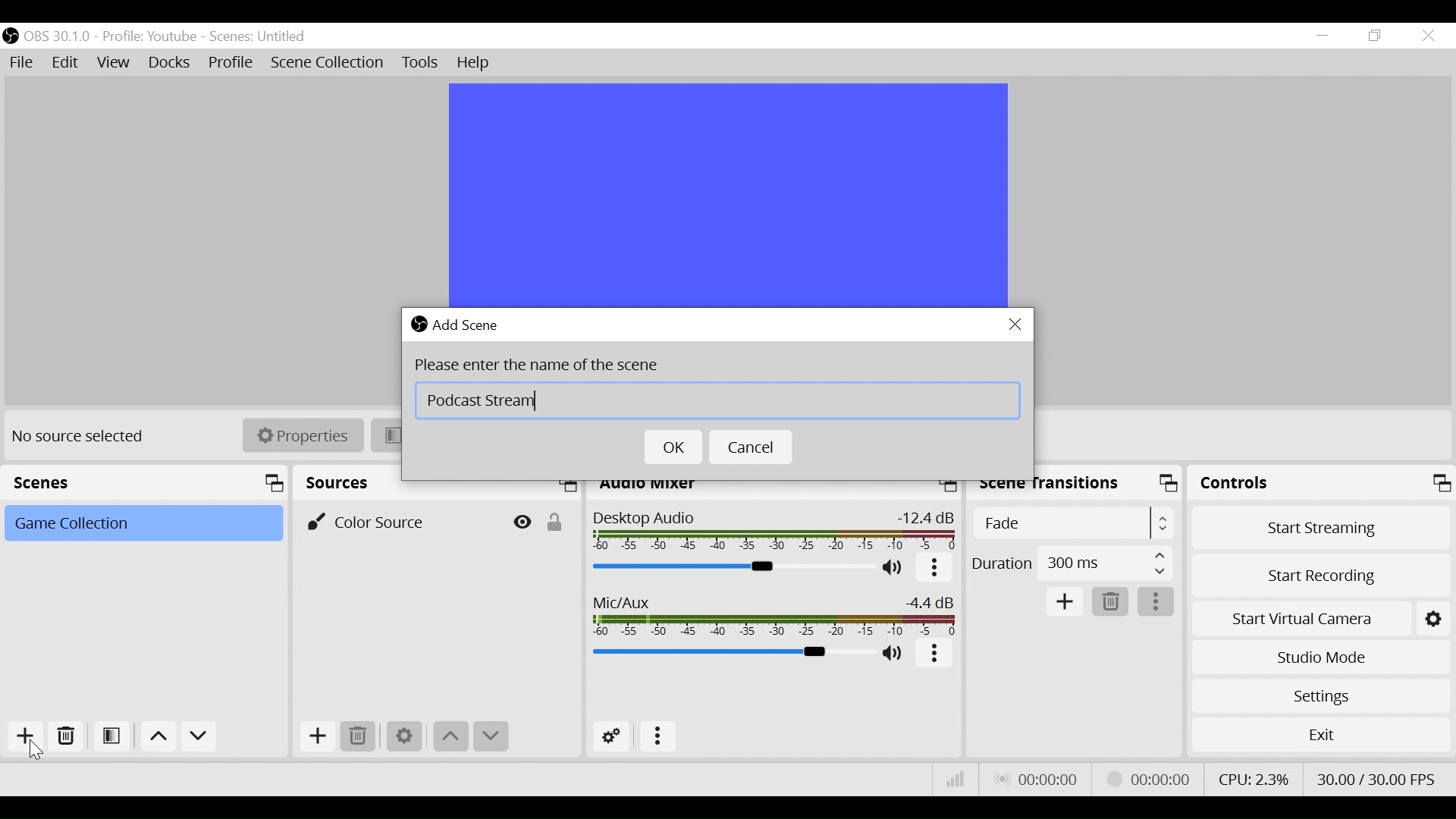  What do you see at coordinates (1321, 524) in the screenshot?
I see `Start Streaming` at bounding box center [1321, 524].